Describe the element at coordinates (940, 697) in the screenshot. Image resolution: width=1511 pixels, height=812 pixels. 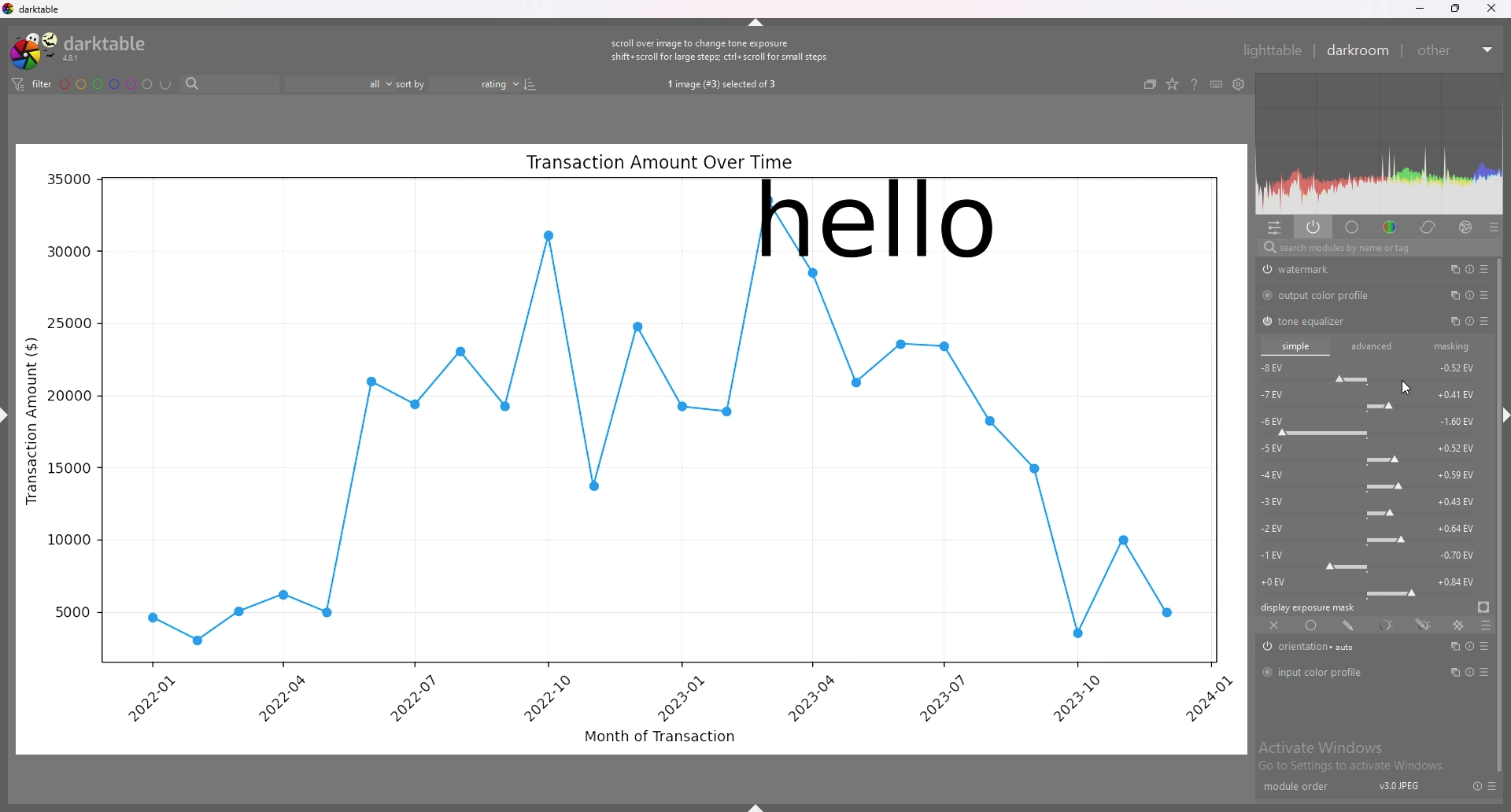
I see `2023-07` at that location.